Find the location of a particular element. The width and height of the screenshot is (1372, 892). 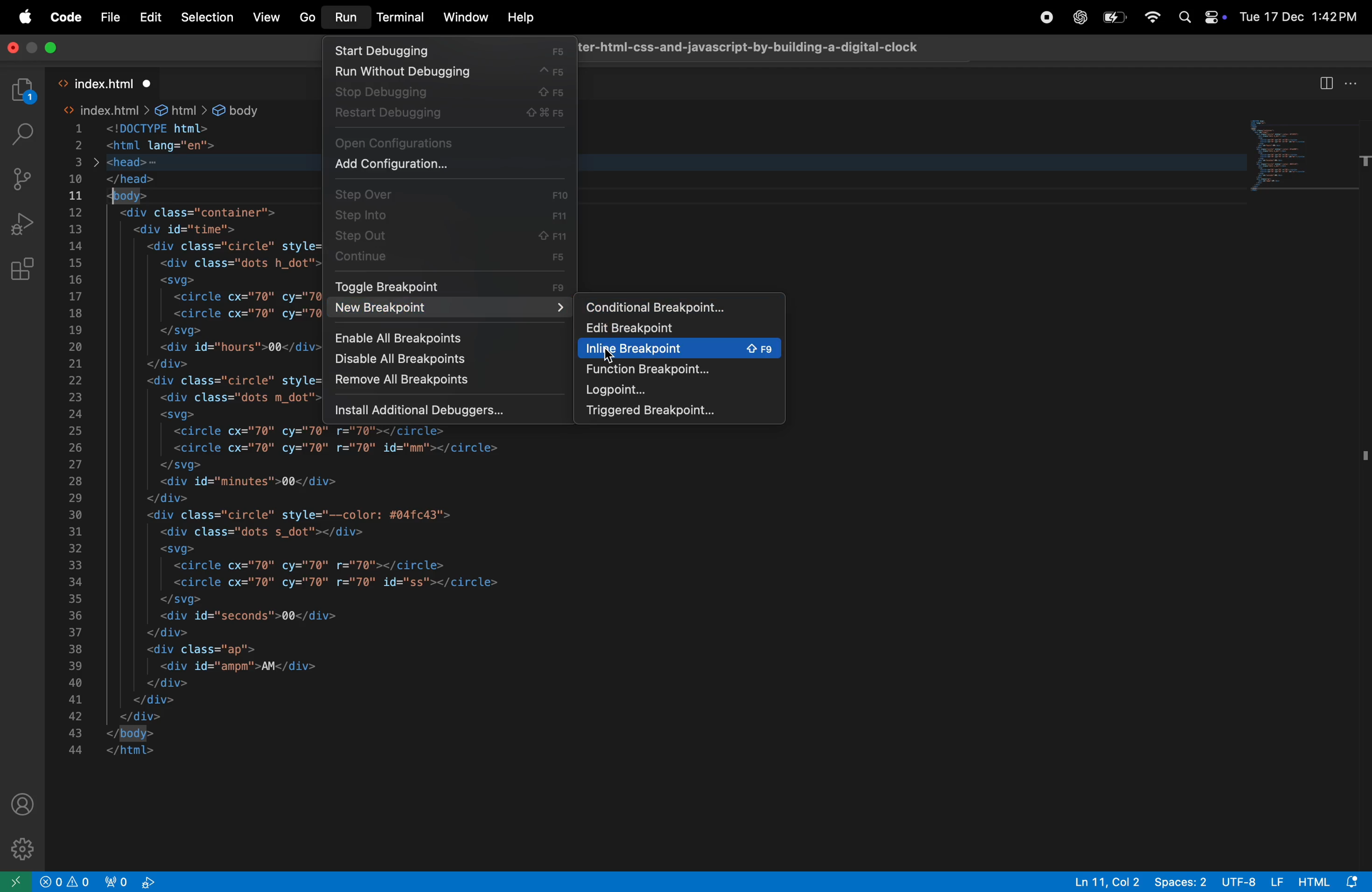

window is located at coordinates (466, 18).